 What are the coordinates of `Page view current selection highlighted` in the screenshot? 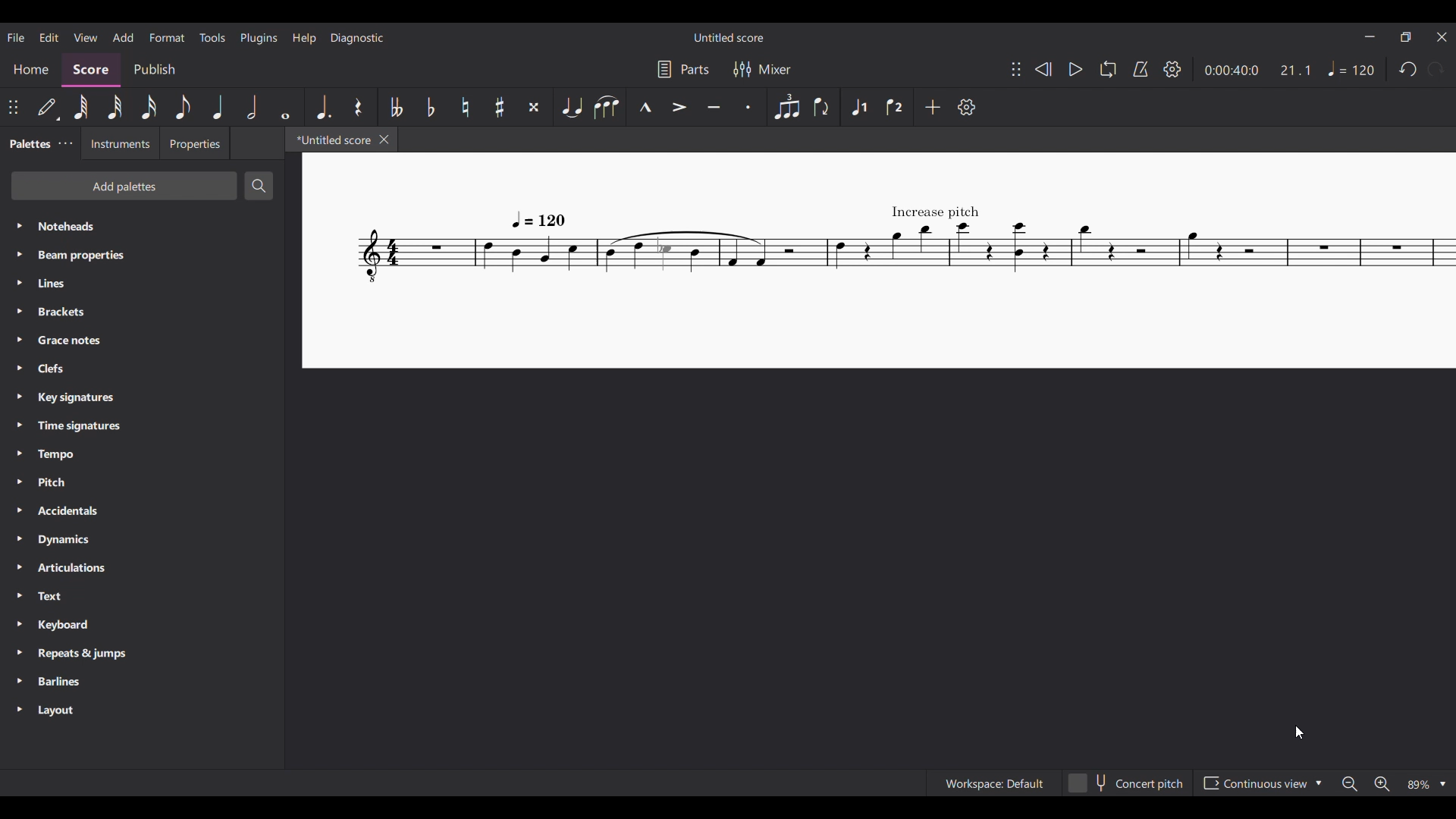 It's located at (1323, 783).